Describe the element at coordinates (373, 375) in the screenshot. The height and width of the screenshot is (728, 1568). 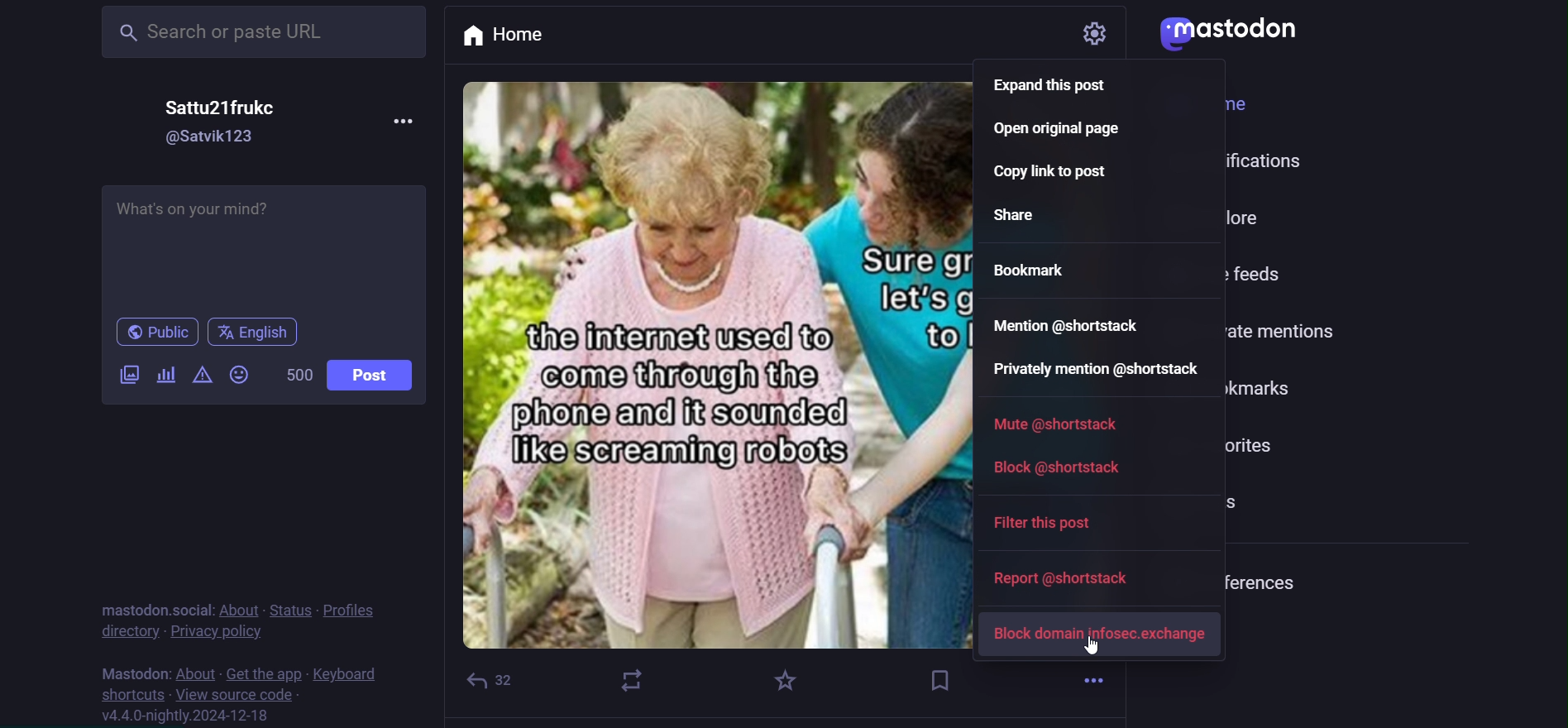
I see `post` at that location.